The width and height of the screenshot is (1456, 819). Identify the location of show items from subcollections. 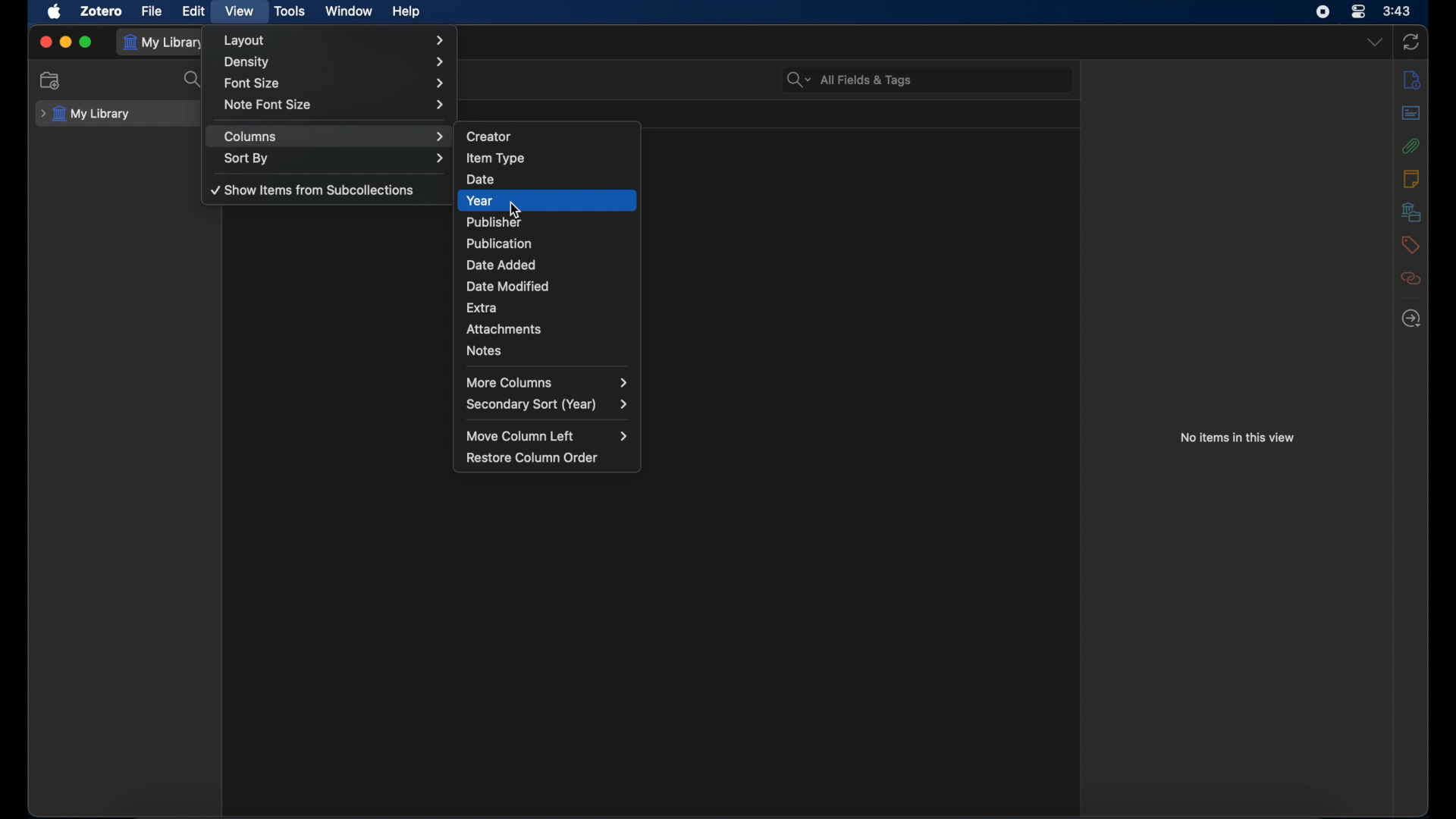
(312, 190).